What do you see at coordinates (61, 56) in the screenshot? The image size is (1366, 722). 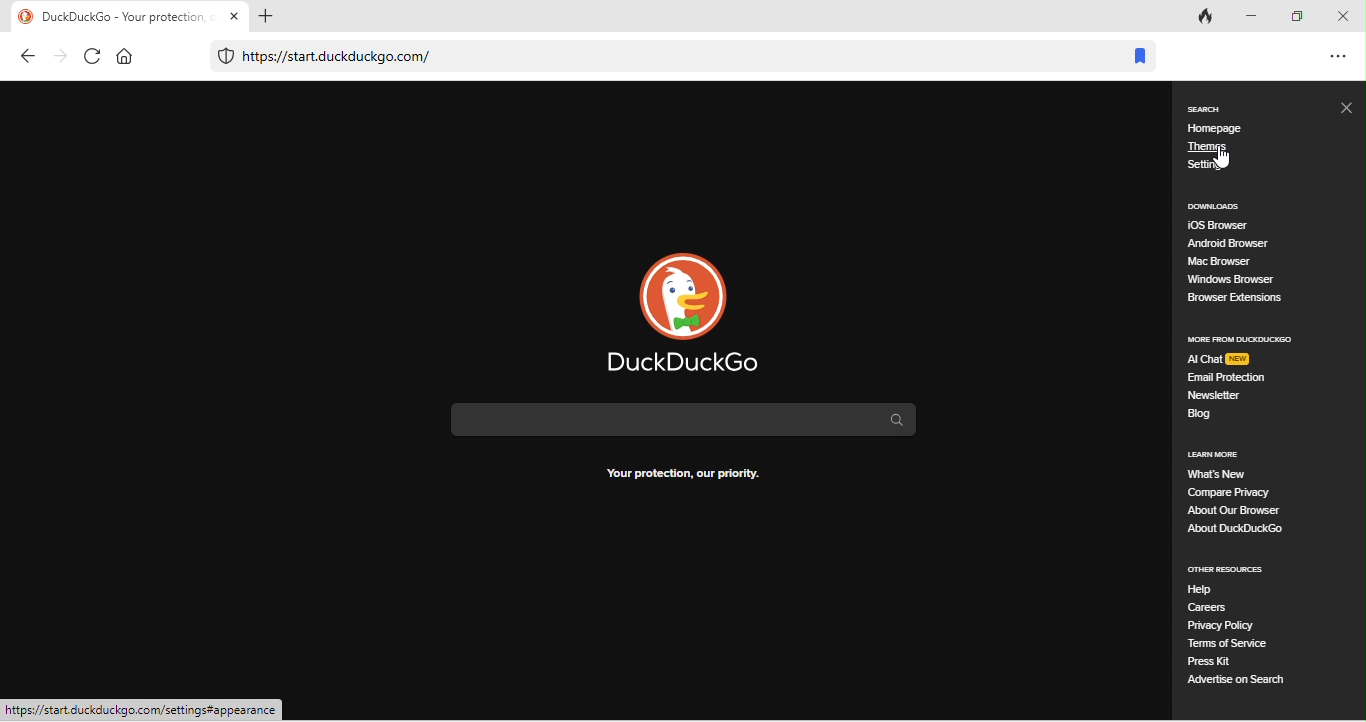 I see `forward` at bounding box center [61, 56].